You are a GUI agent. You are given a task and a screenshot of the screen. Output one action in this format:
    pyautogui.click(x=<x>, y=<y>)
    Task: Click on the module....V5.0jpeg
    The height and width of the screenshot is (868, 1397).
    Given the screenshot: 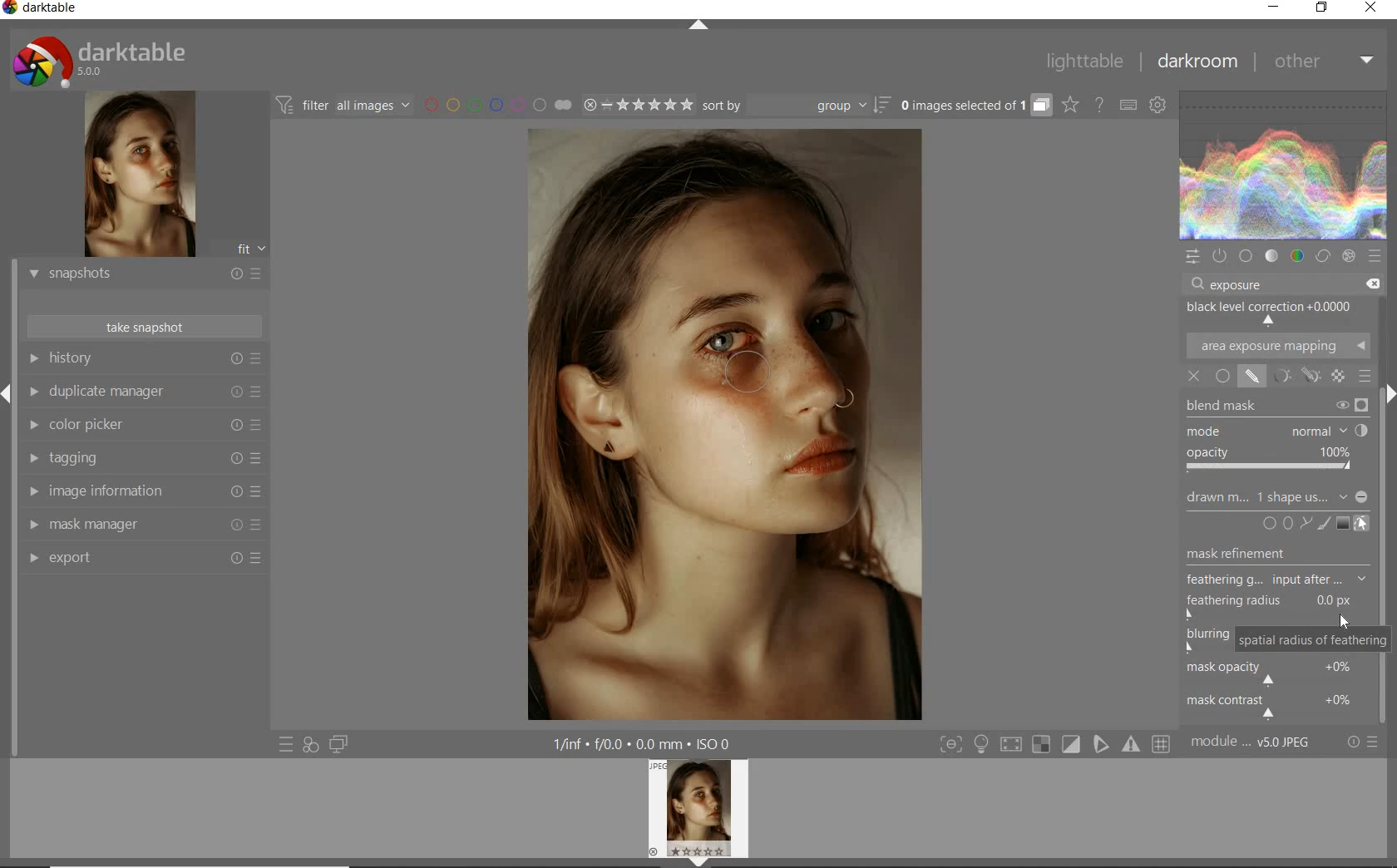 What is the action you would take?
    pyautogui.click(x=1261, y=744)
    